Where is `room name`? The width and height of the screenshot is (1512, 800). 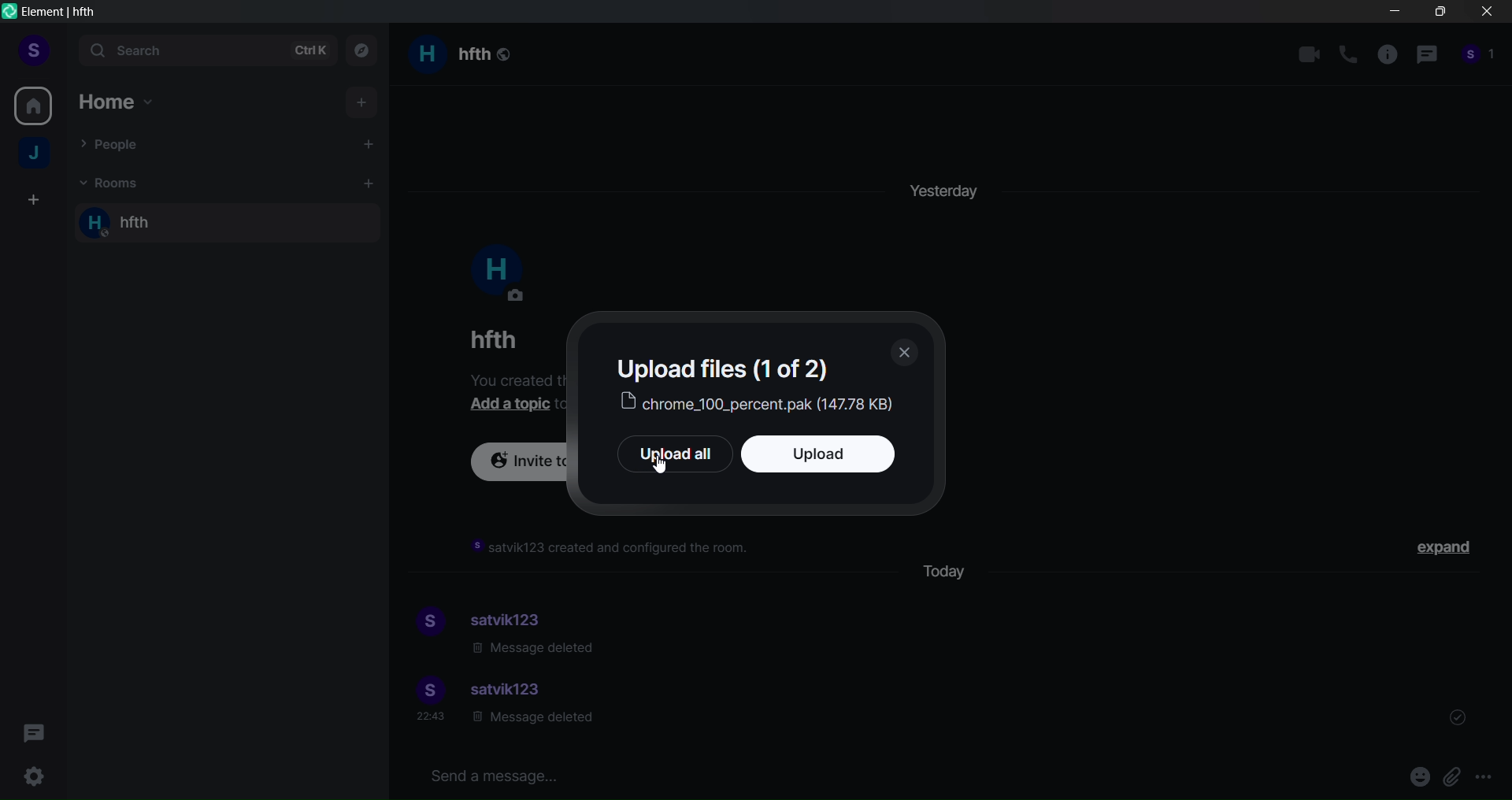
room name is located at coordinates (142, 224).